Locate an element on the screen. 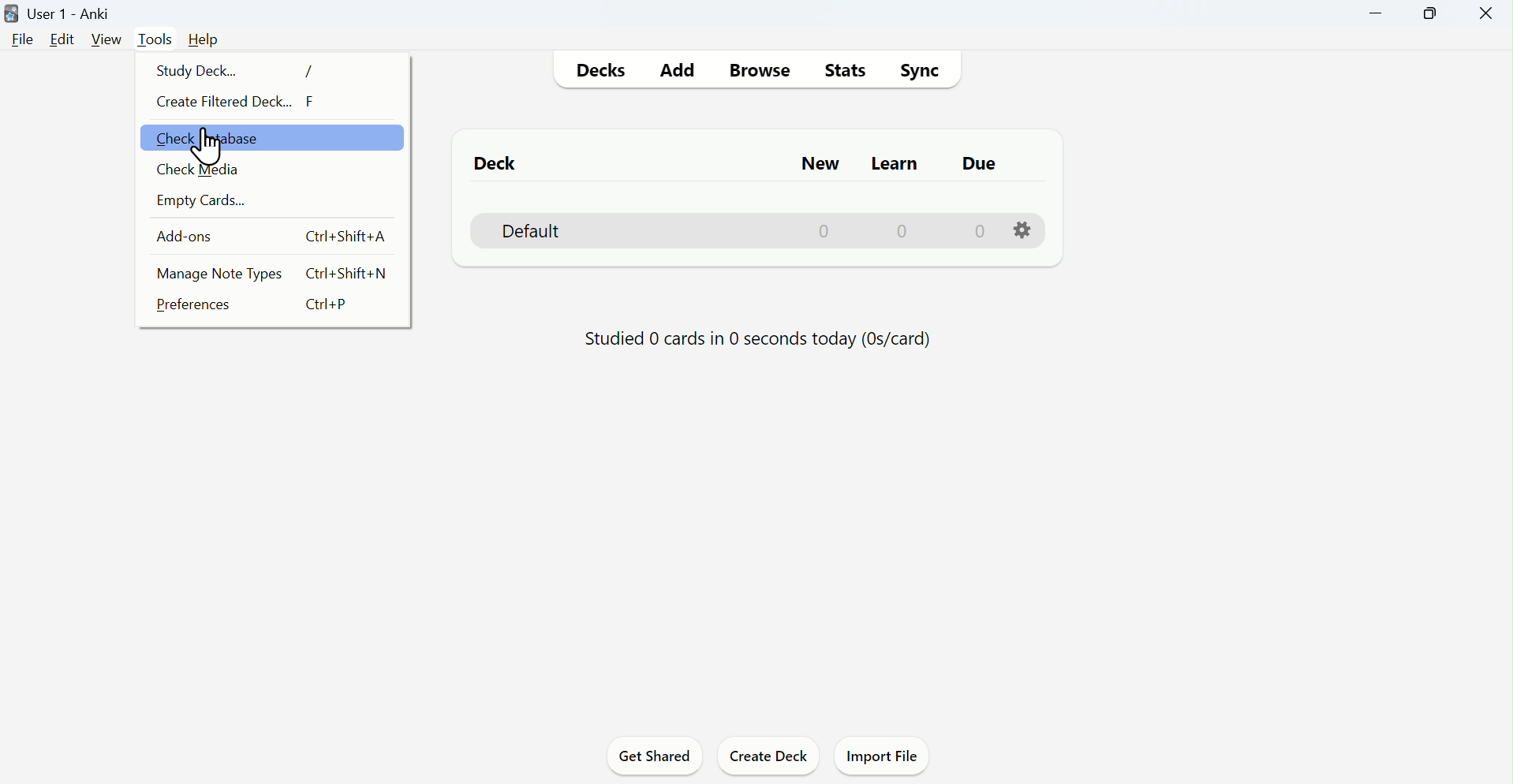 This screenshot has width=1513, height=784. Default is located at coordinates (731, 231).